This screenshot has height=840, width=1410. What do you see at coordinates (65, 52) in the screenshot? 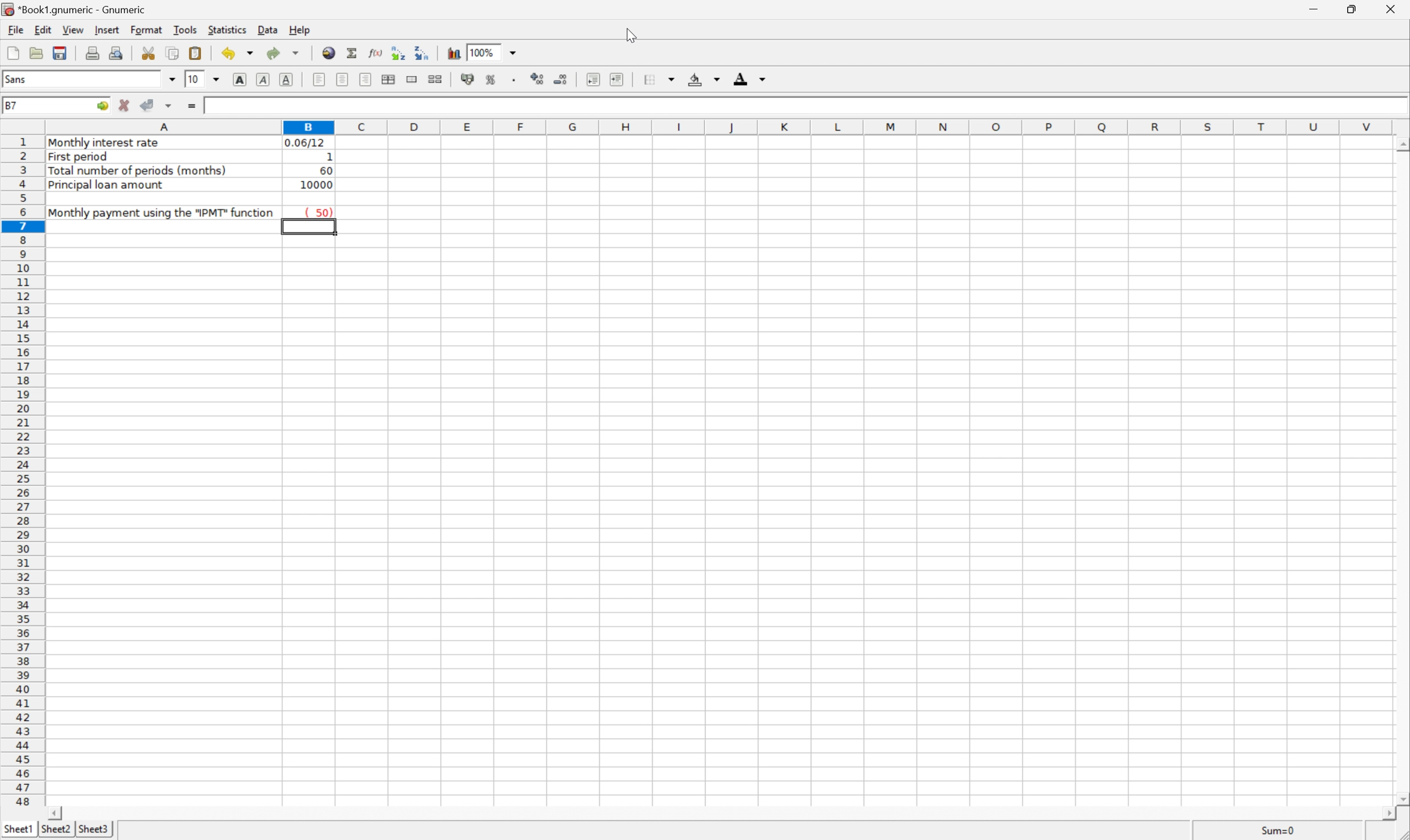
I see `Save current workbook` at bounding box center [65, 52].